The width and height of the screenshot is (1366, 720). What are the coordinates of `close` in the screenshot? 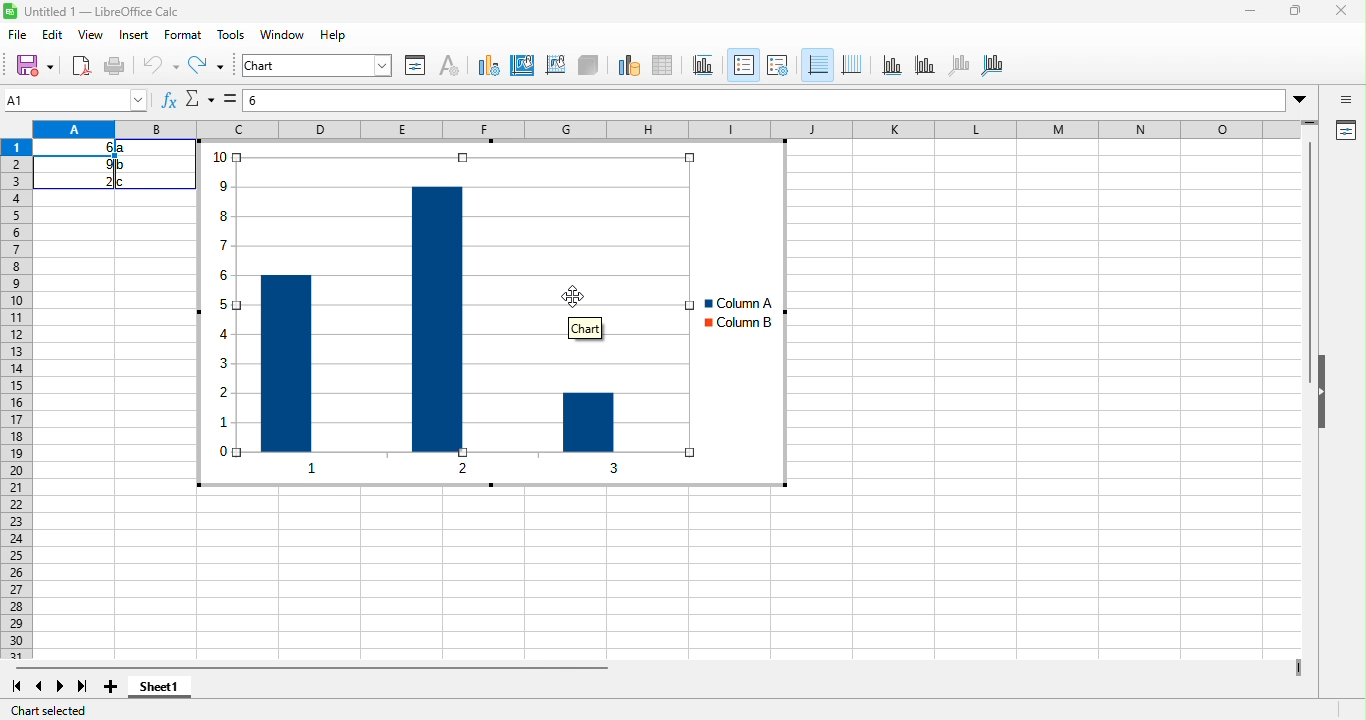 It's located at (1344, 12).